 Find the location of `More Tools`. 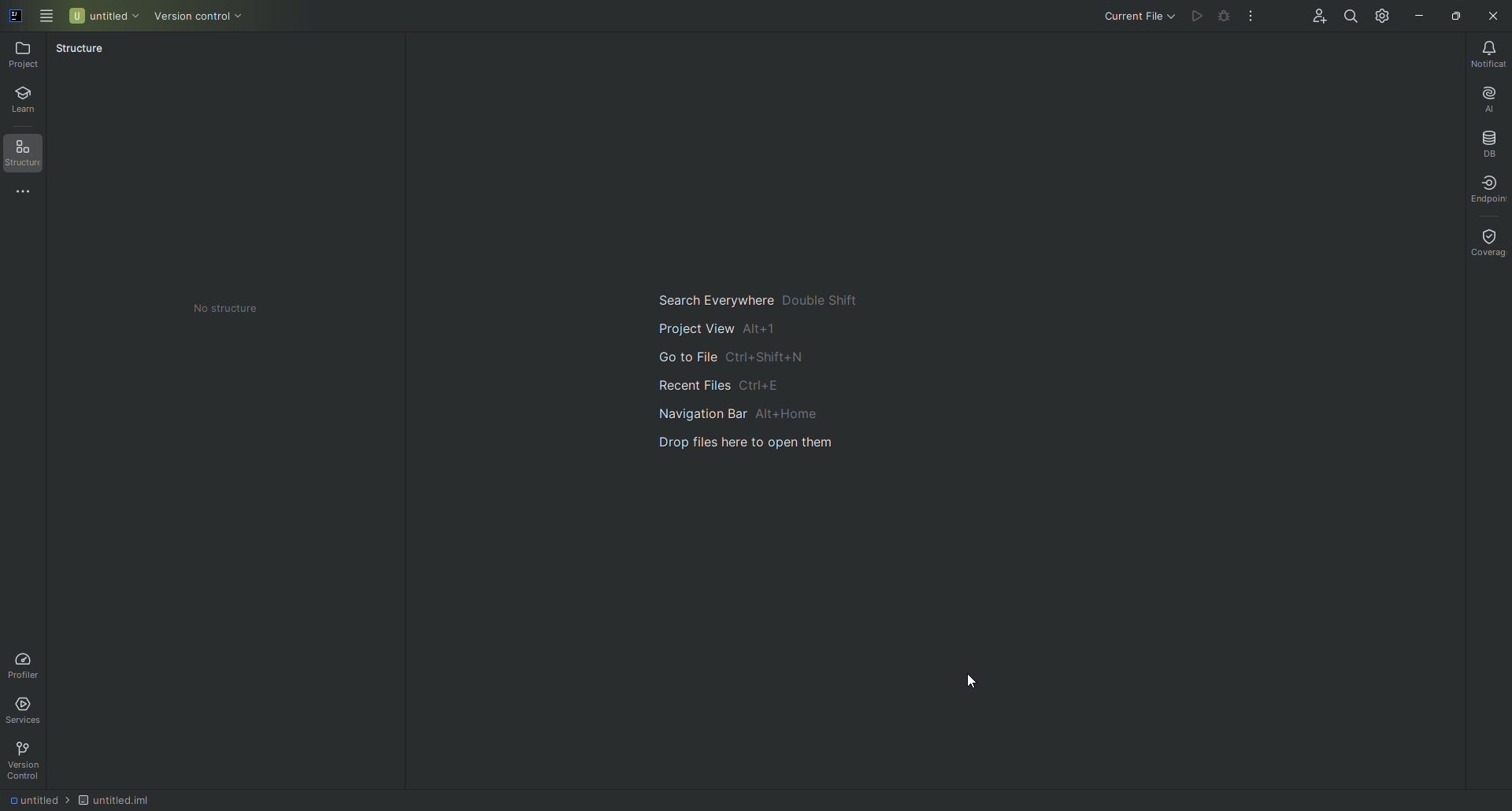

More Tools is located at coordinates (27, 194).